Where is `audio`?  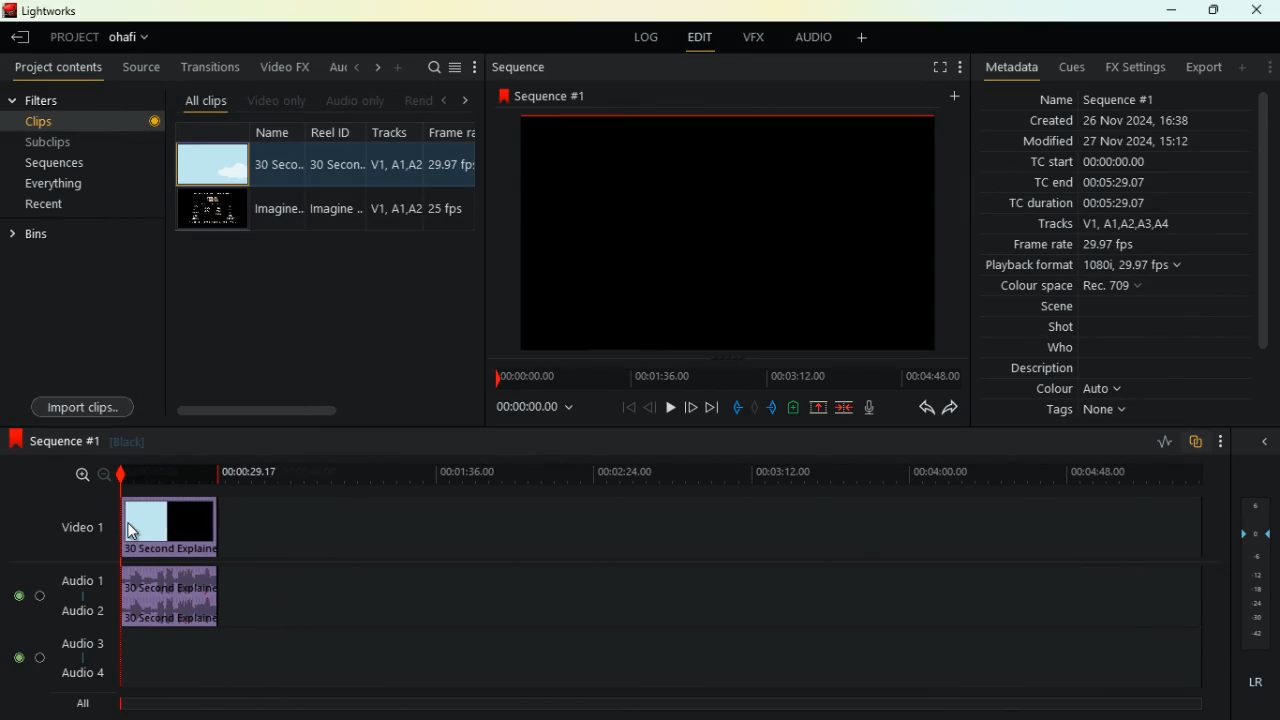 audio is located at coordinates (83, 578).